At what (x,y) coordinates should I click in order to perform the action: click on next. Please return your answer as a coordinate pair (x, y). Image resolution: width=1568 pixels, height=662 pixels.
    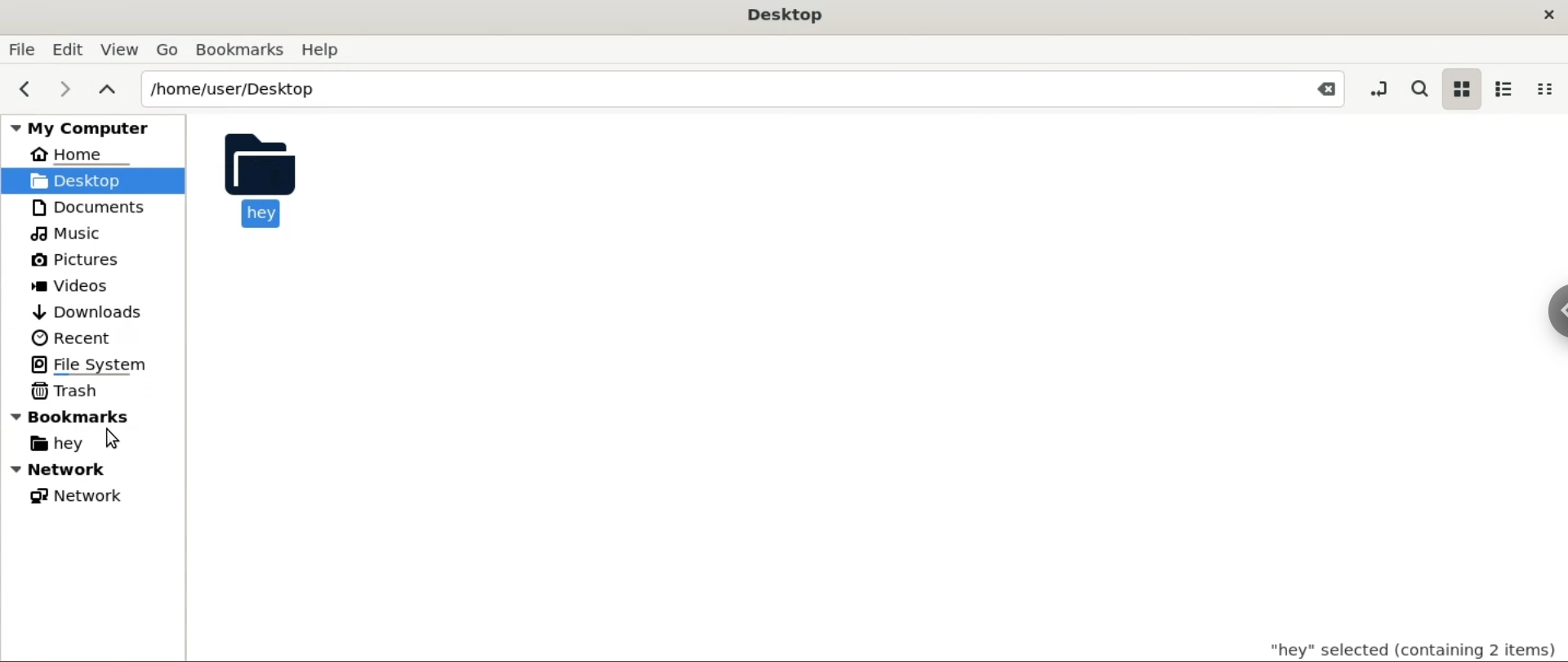
    Looking at the image, I should click on (67, 87).